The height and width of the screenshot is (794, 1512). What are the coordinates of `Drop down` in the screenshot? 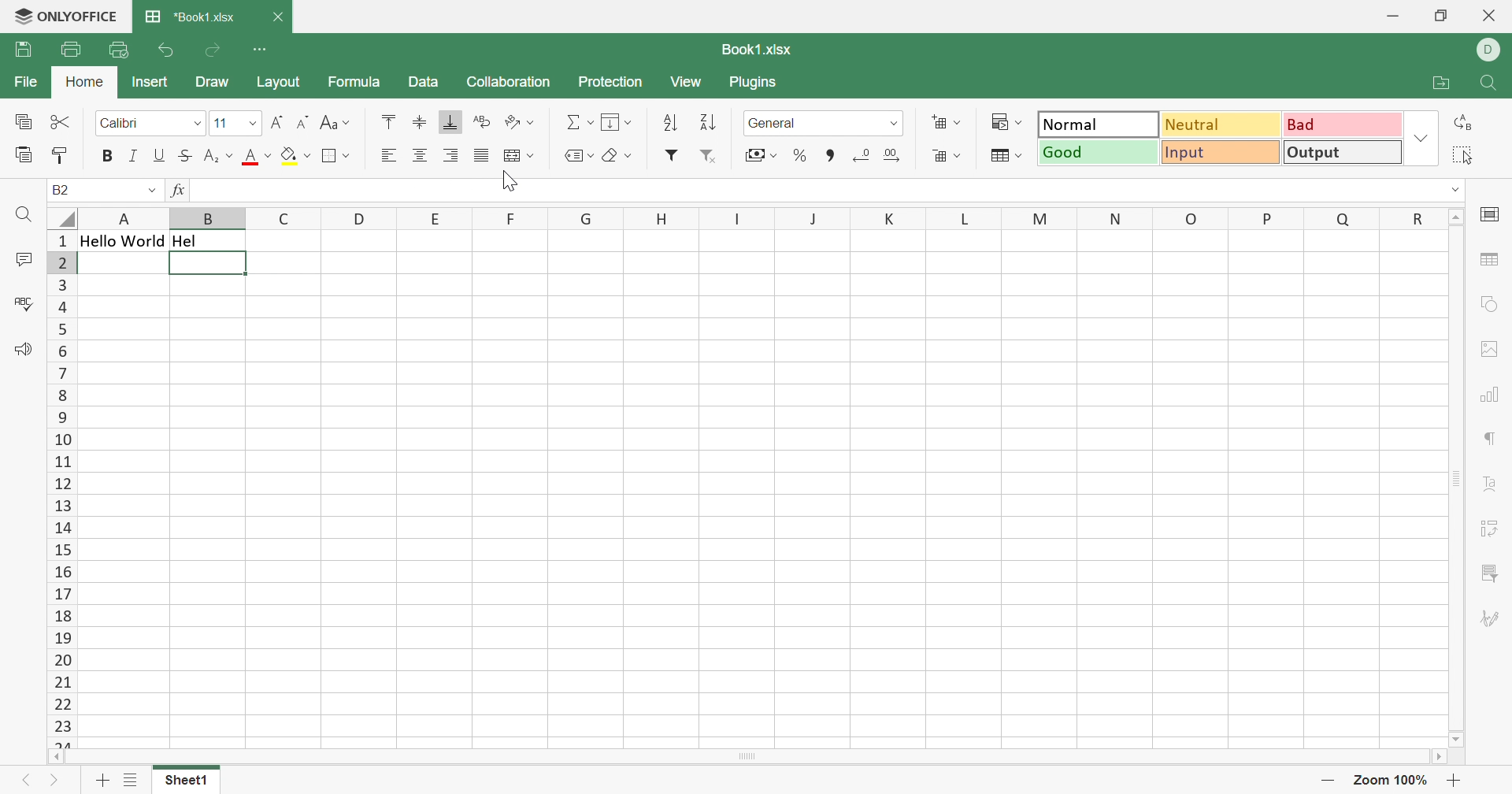 It's located at (154, 192).